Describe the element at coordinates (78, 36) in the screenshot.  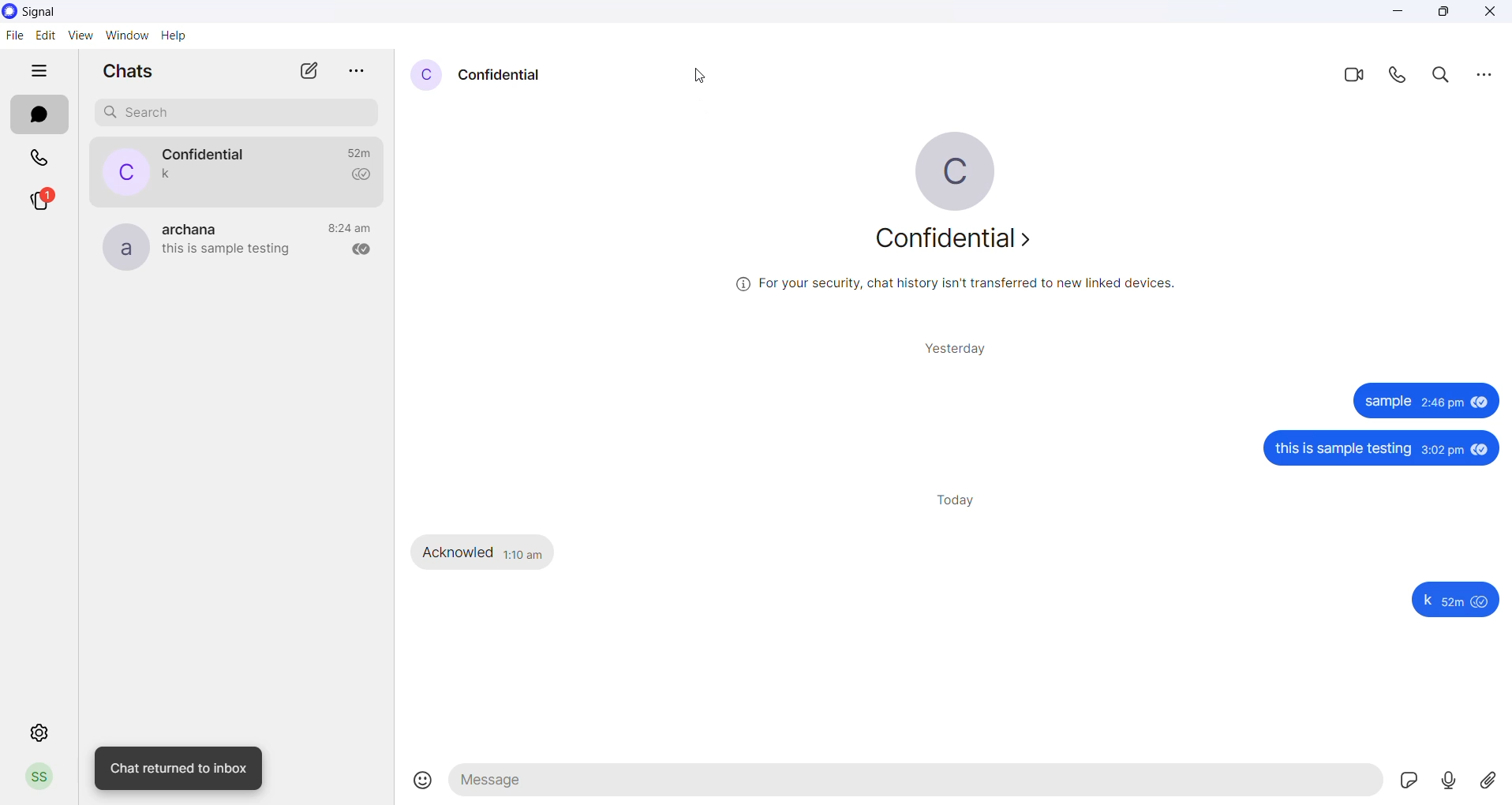
I see `view` at that location.